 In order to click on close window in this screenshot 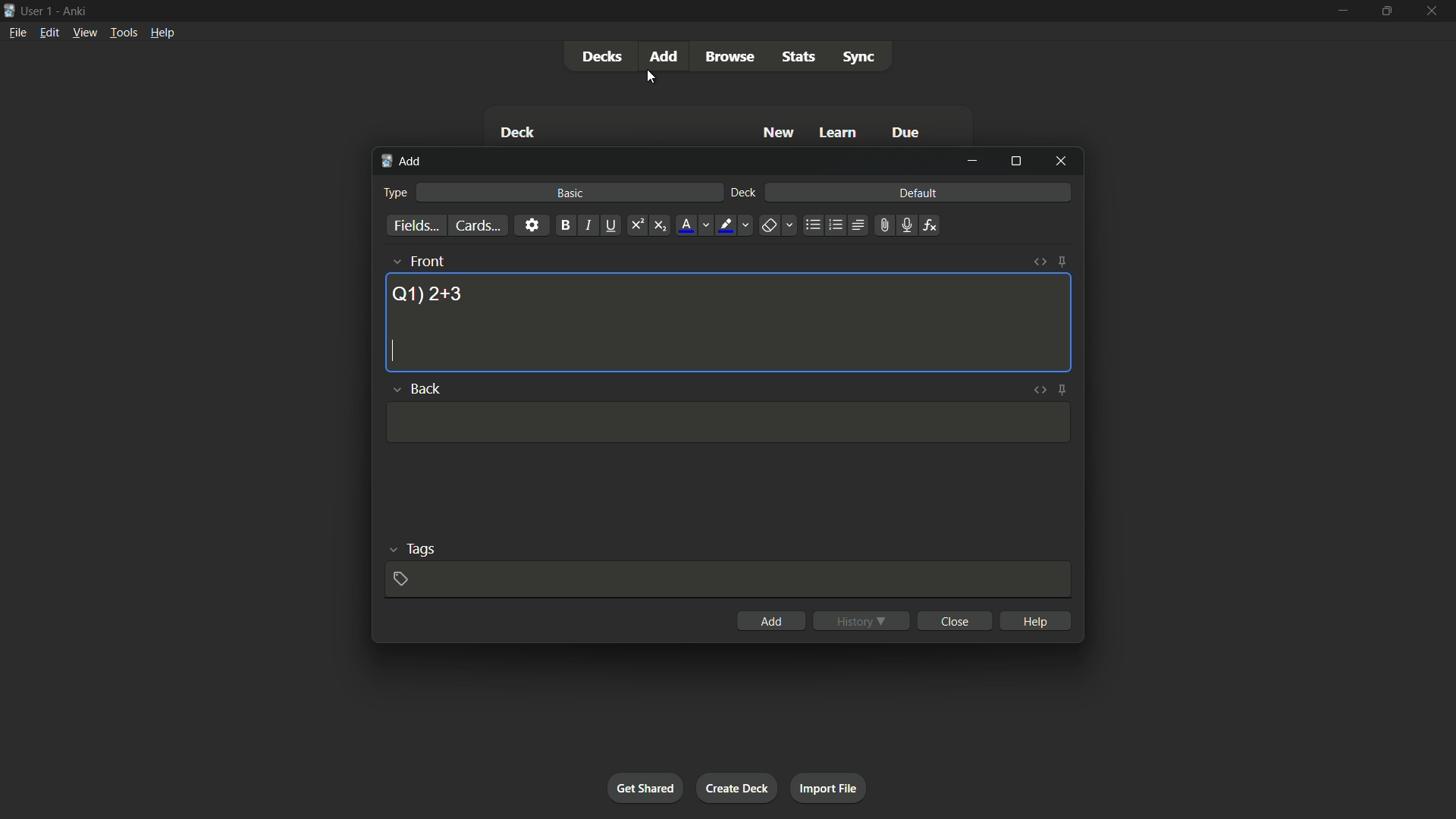, I will do `click(1062, 160)`.